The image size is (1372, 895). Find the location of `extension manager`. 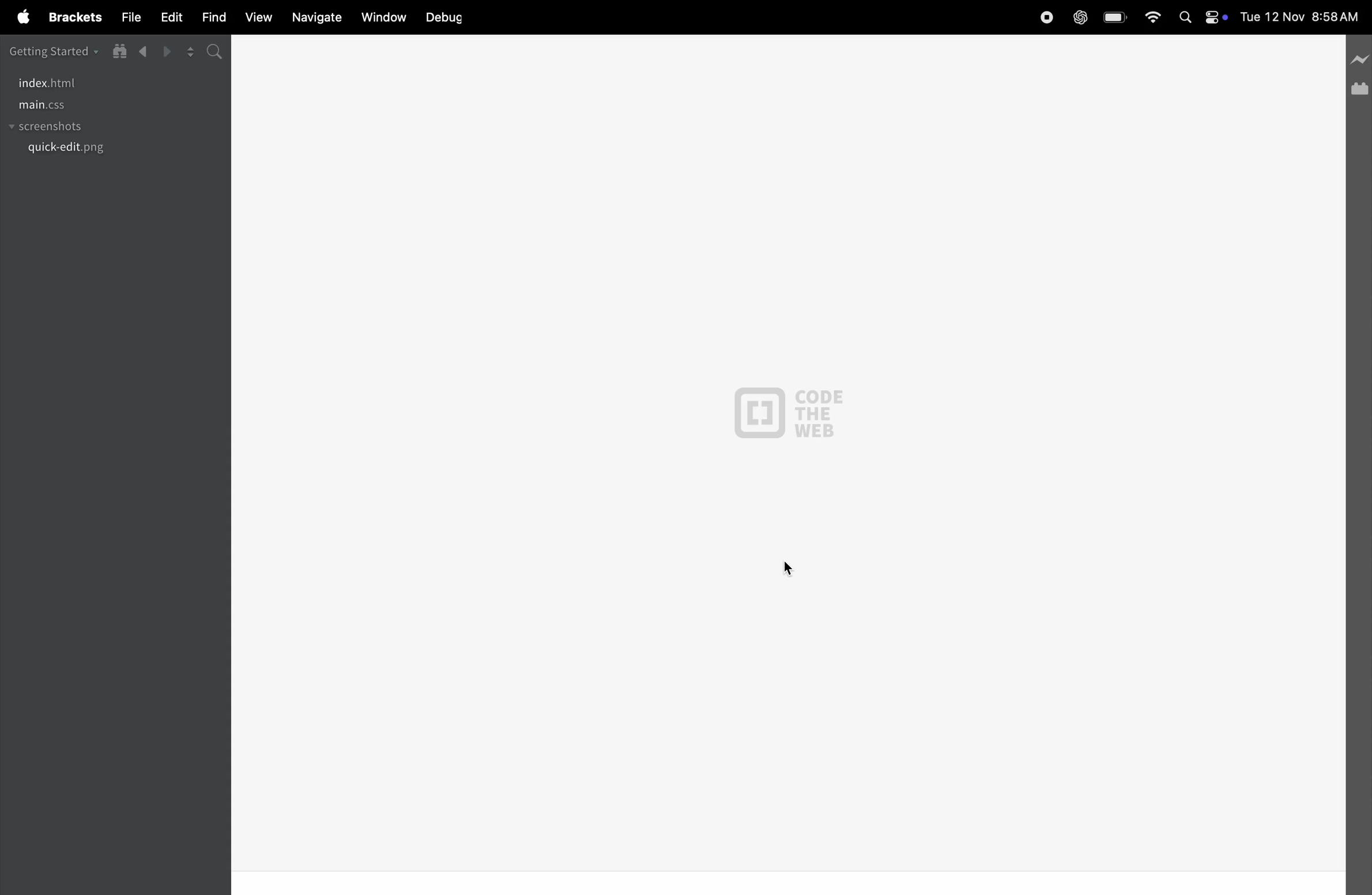

extension manager is located at coordinates (1359, 88).